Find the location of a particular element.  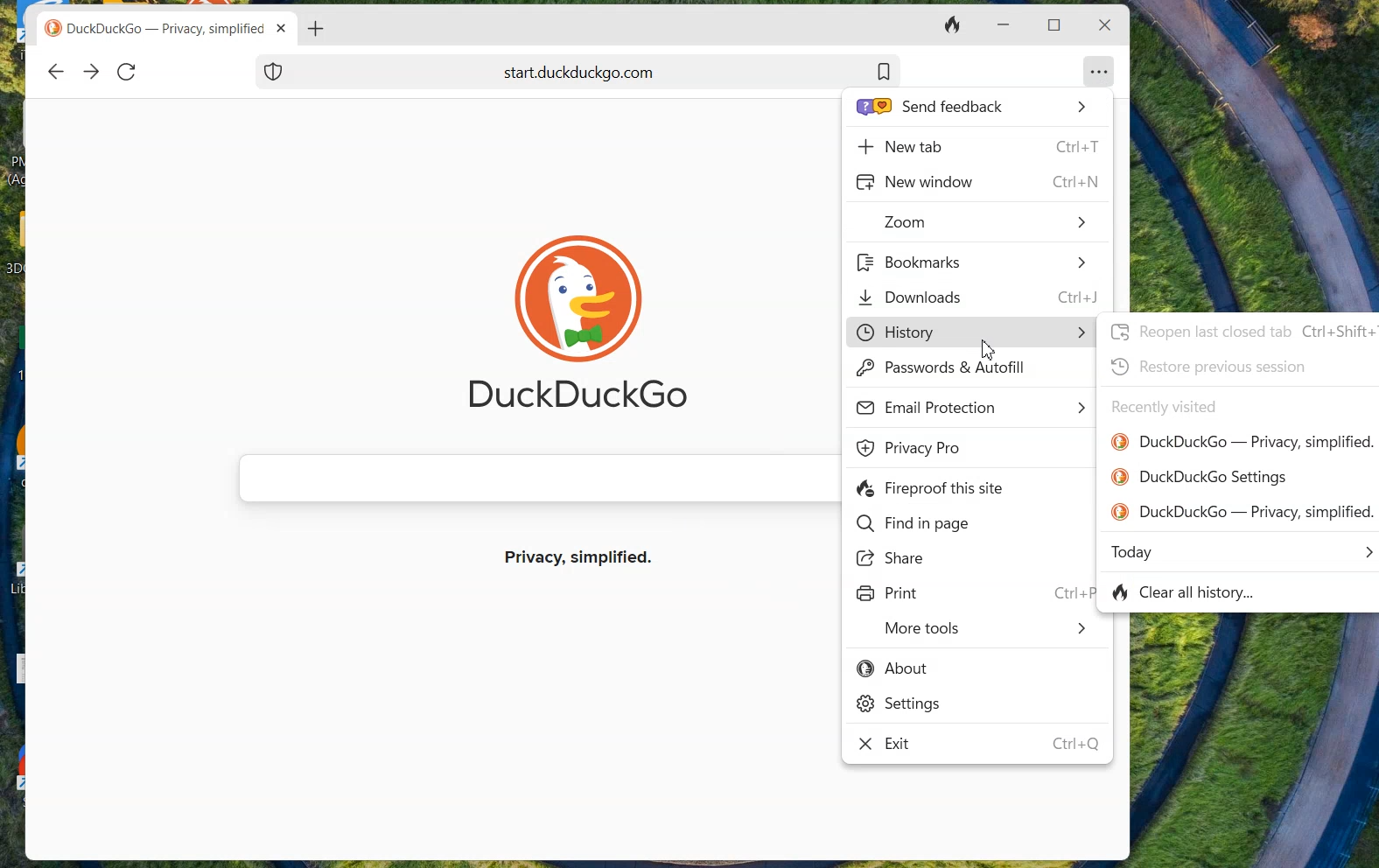

DuckDuckGo - privacy, simplified. is located at coordinates (1242, 442).